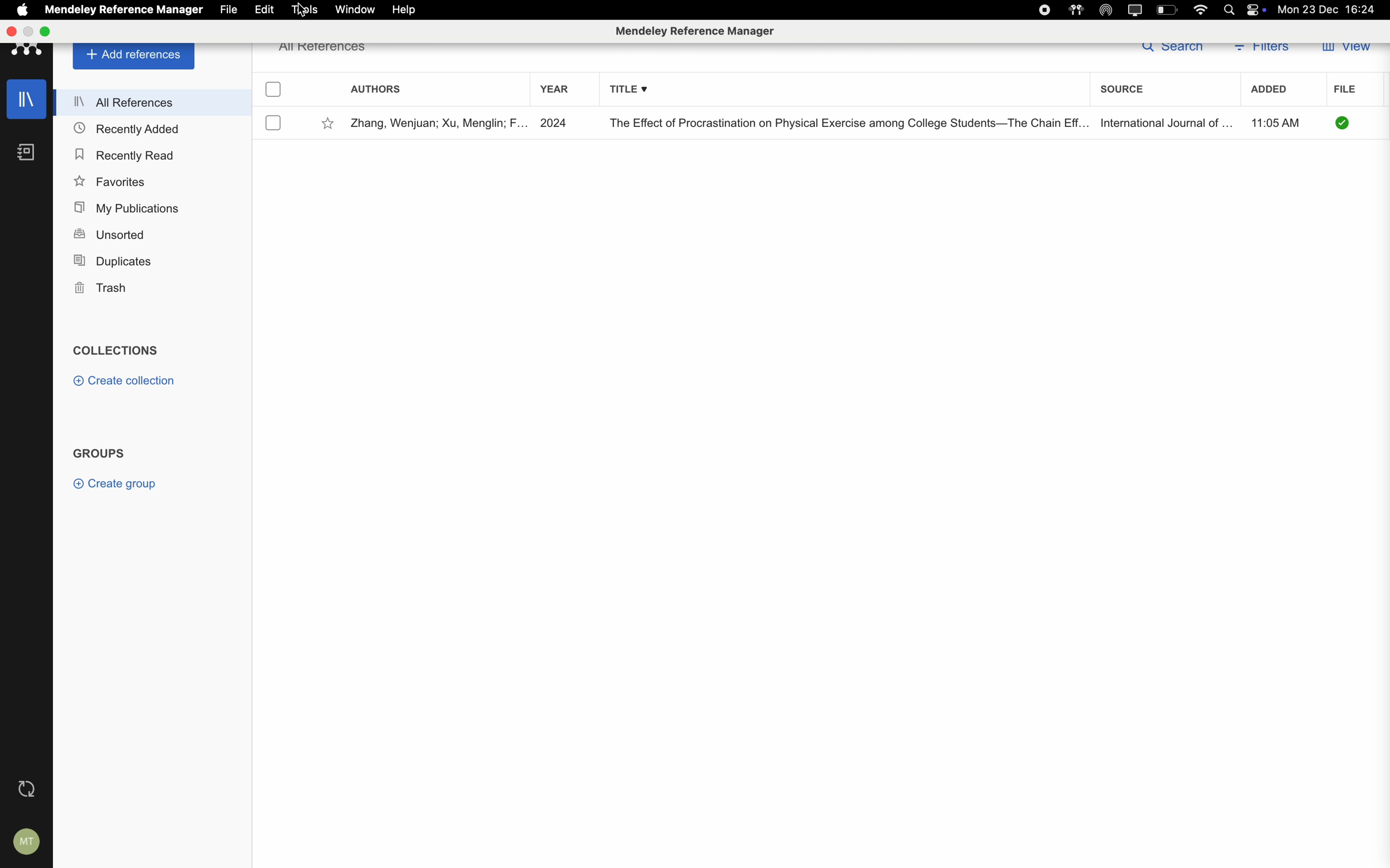 This screenshot has height=868, width=1390. I want to click on pdf downloaded, so click(1343, 123).